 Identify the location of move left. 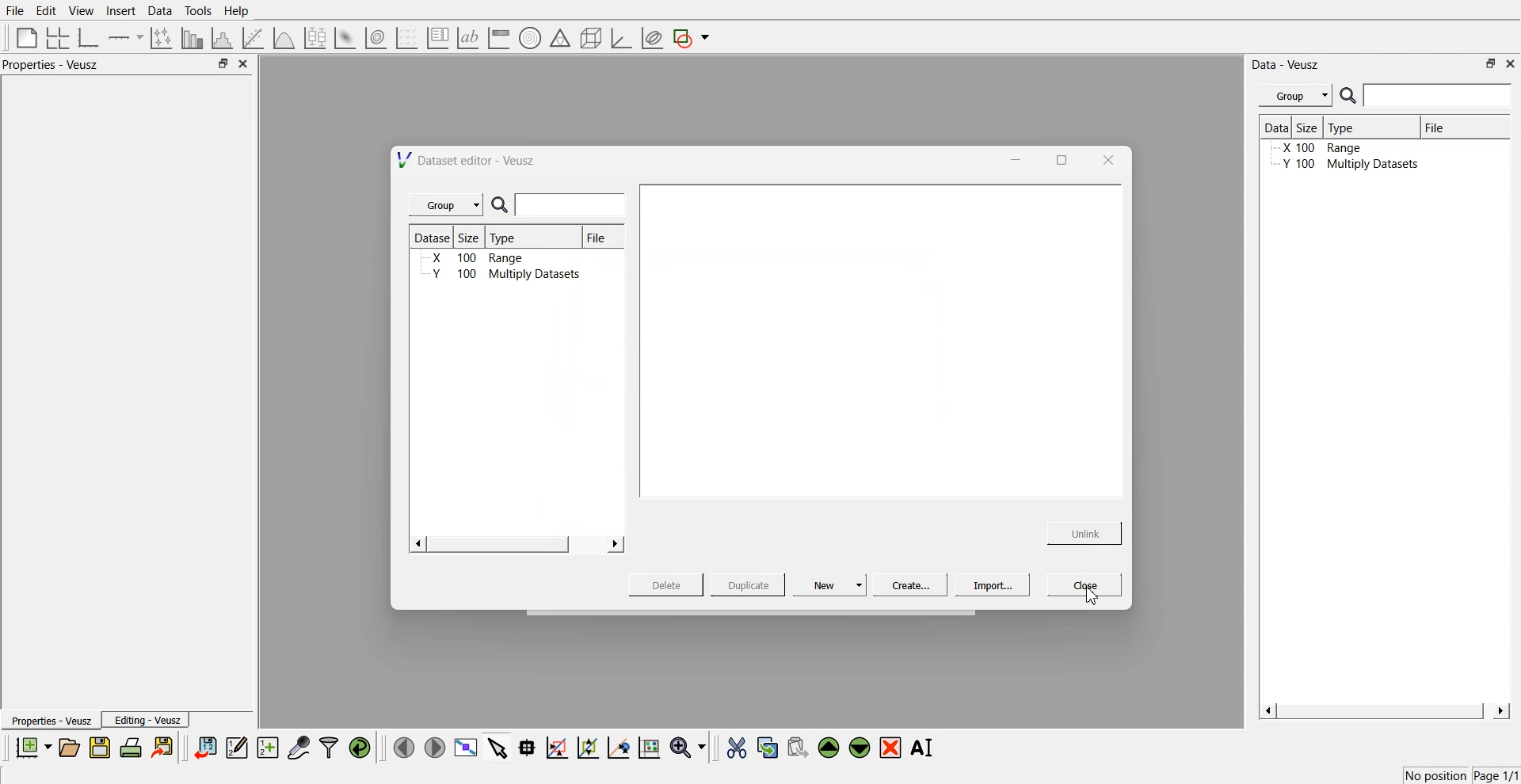
(404, 747).